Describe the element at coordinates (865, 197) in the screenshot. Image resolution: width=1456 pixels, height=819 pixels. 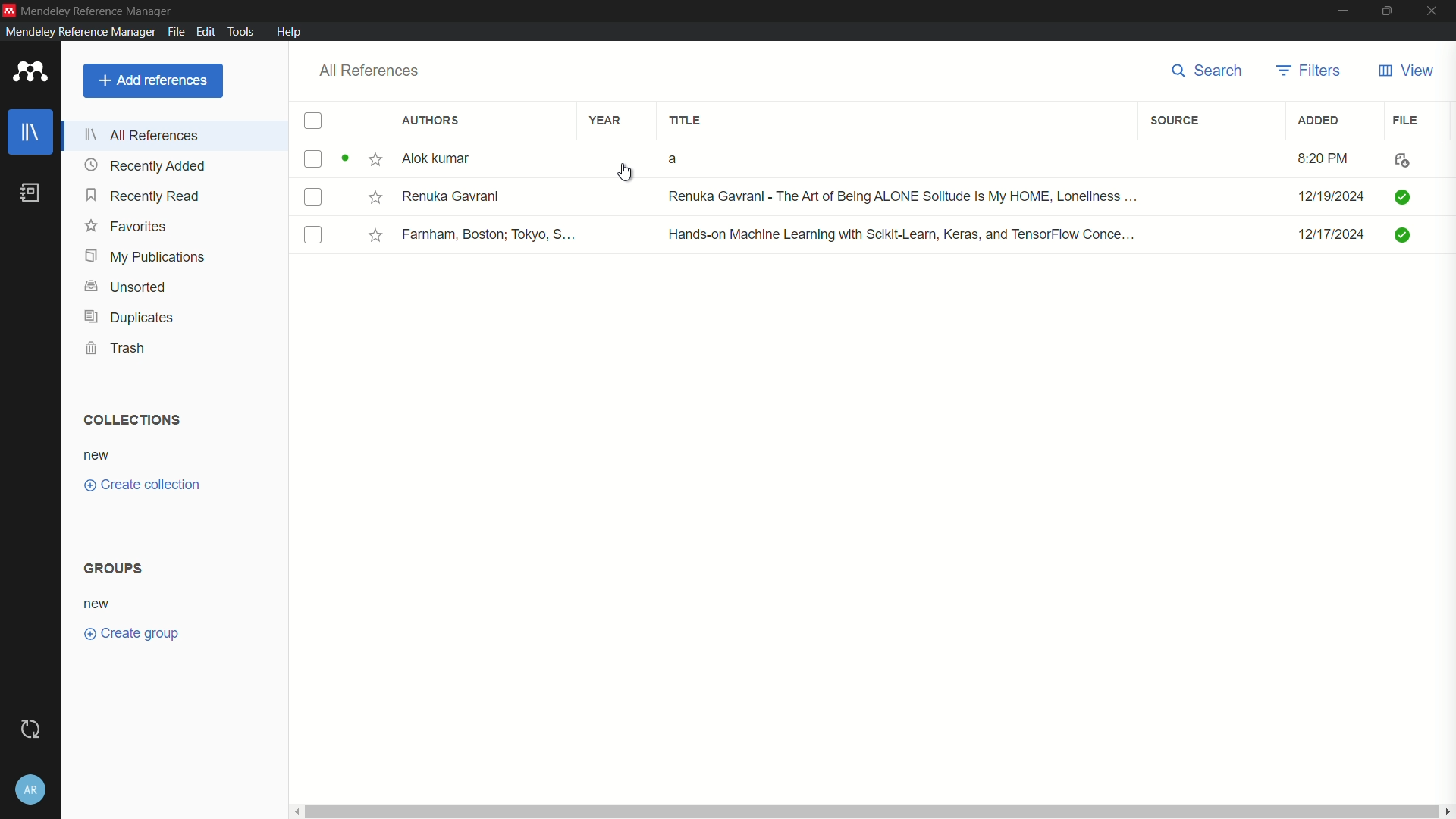
I see `book-2` at that location.